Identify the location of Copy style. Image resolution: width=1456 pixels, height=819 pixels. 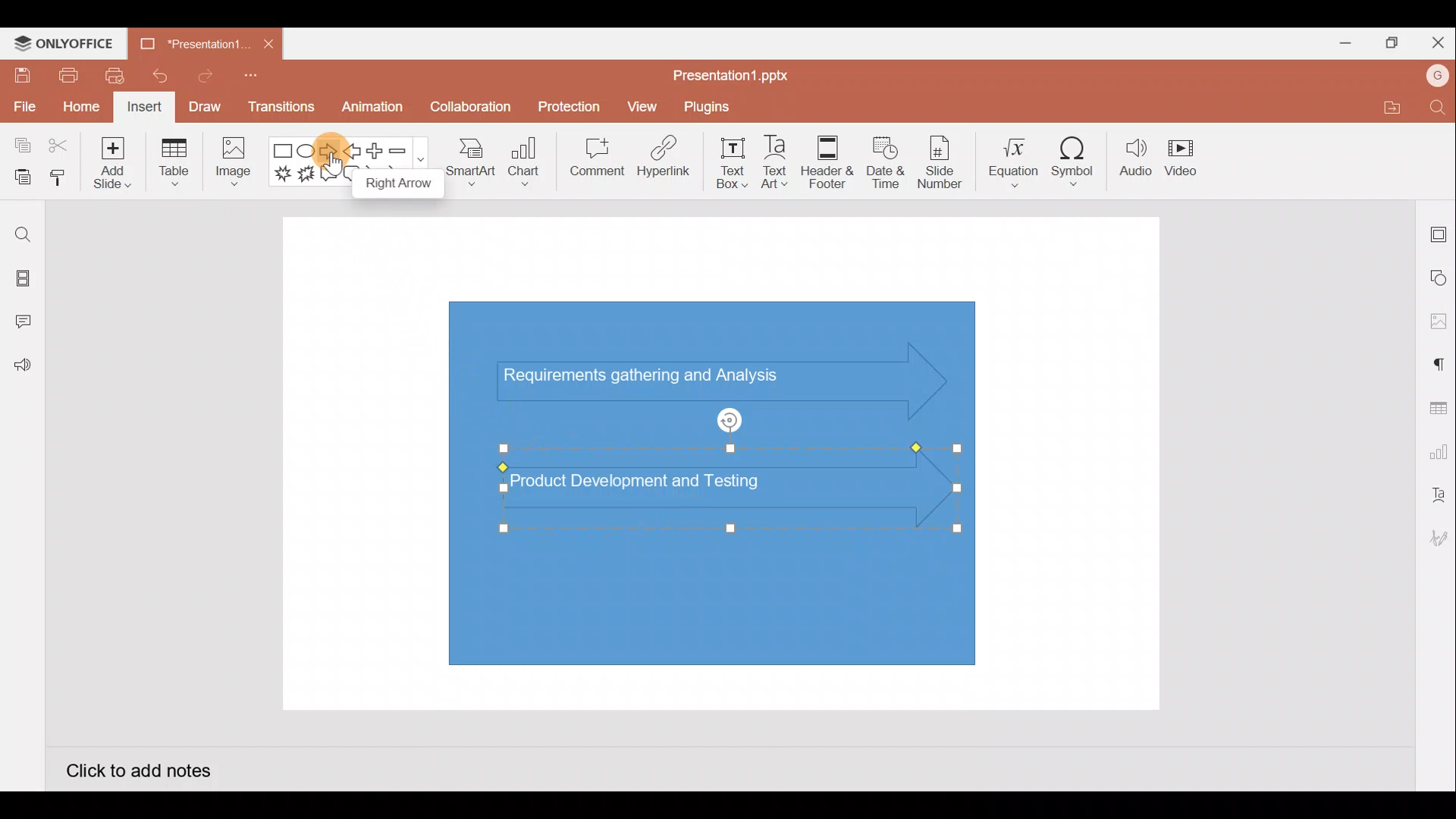
(59, 180).